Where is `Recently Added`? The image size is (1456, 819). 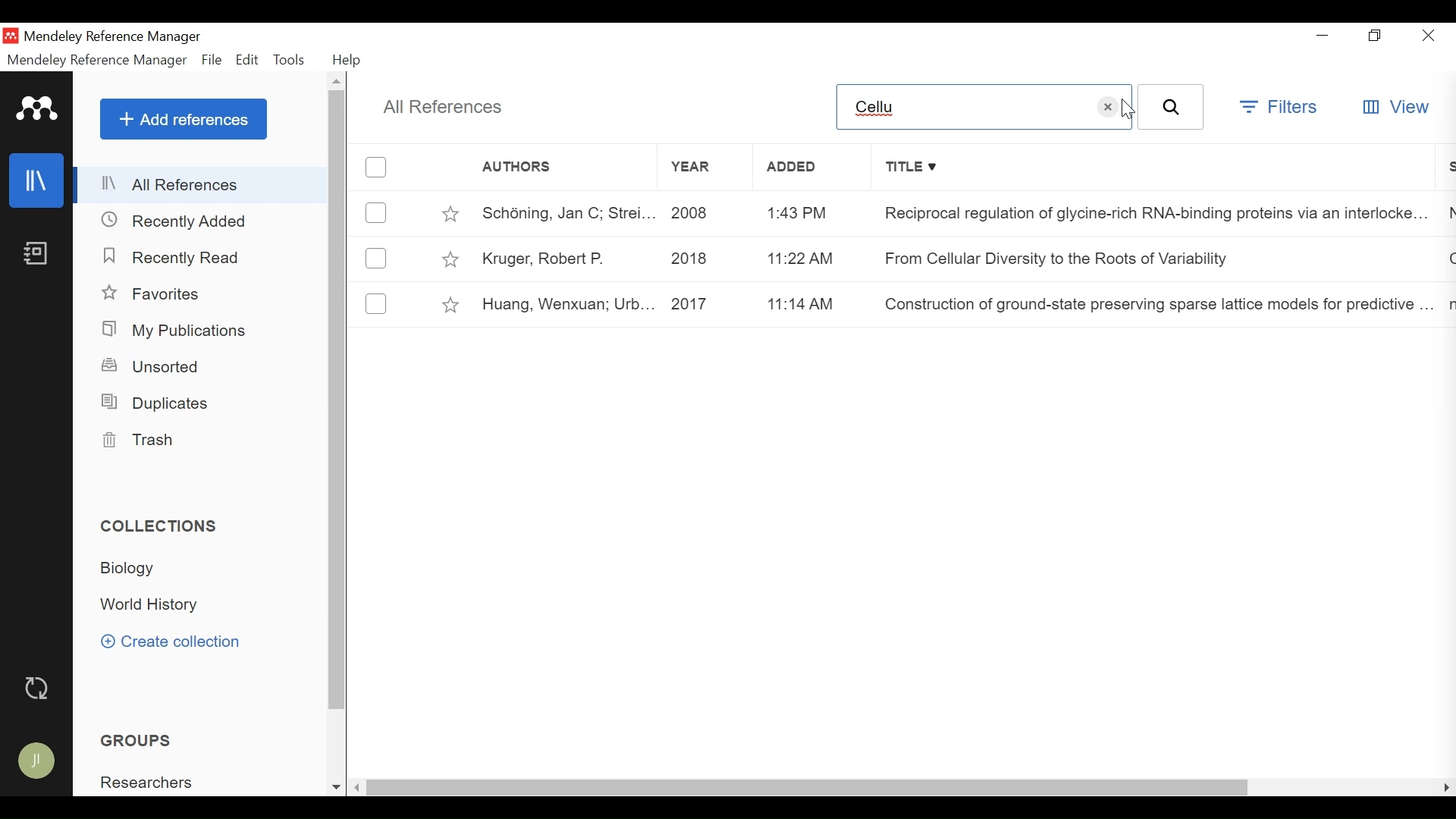
Recently Added is located at coordinates (178, 220).